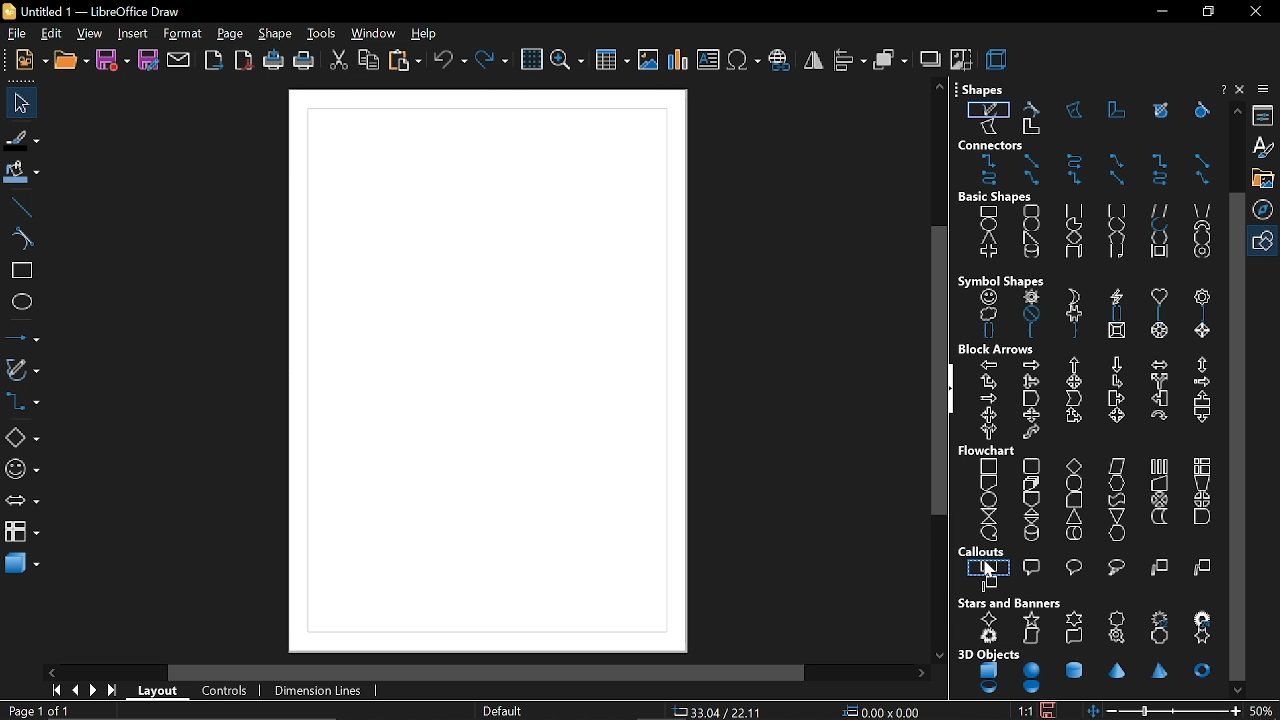 The width and height of the screenshot is (1280, 720). Describe the element at coordinates (1095, 711) in the screenshot. I see `fit to window` at that location.